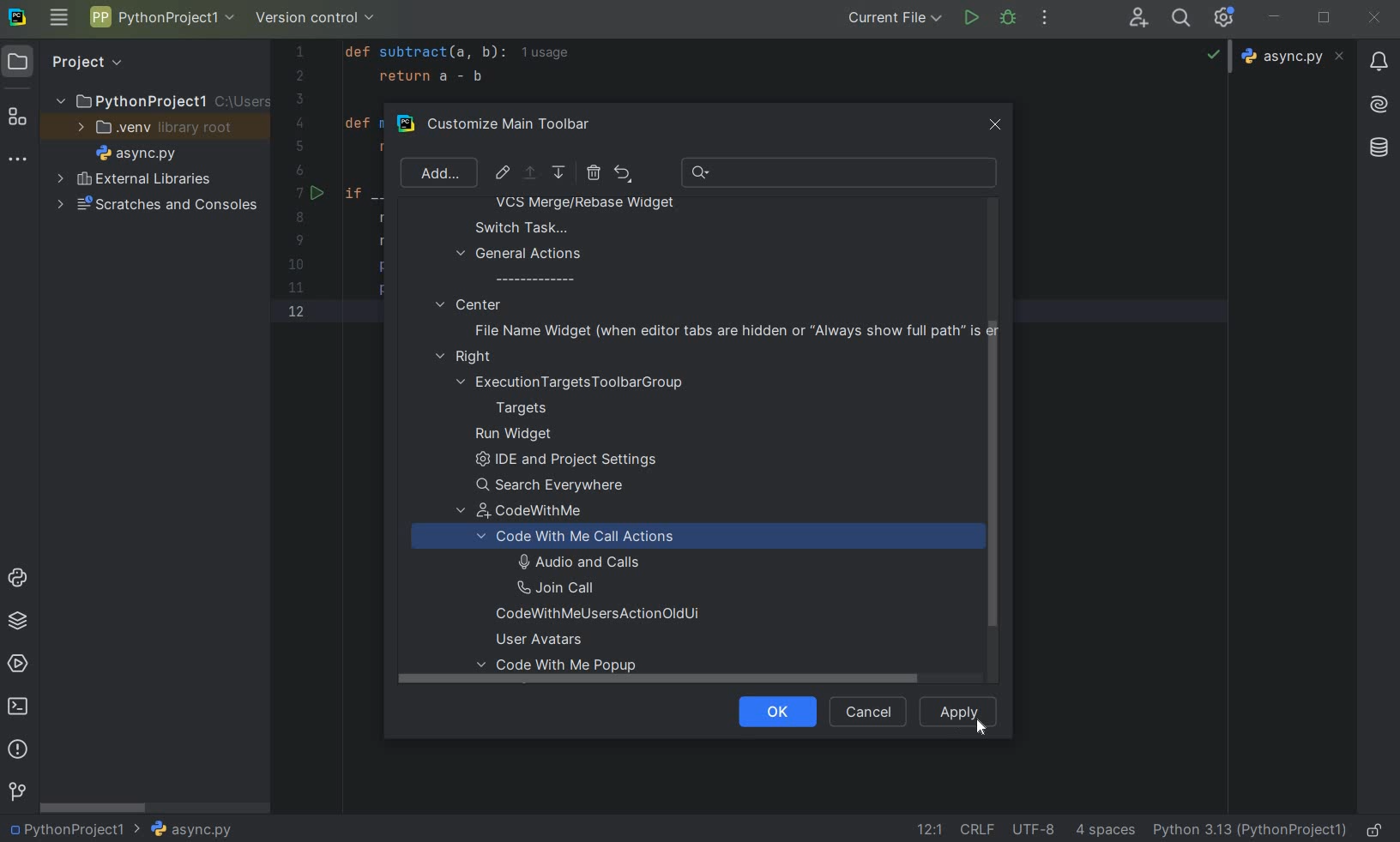 This screenshot has height=842, width=1400. What do you see at coordinates (155, 128) in the screenshot?
I see `.VENV` at bounding box center [155, 128].